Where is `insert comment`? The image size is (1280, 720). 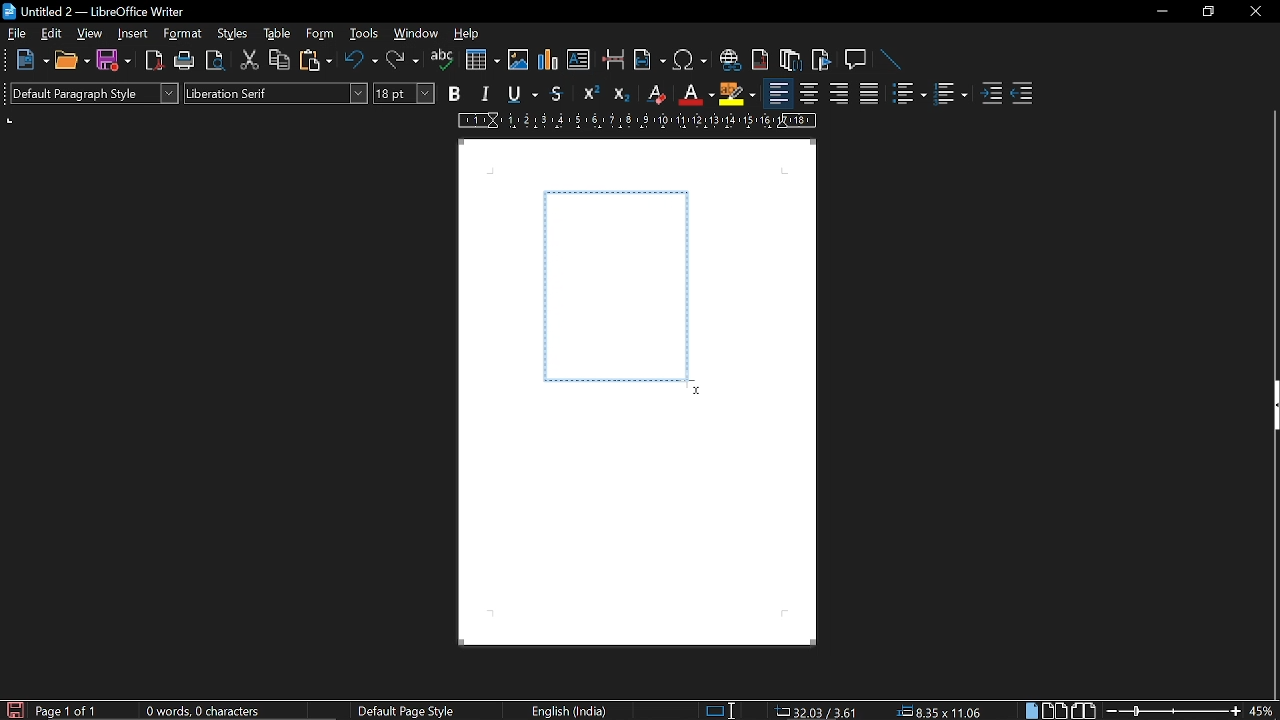
insert comment is located at coordinates (856, 59).